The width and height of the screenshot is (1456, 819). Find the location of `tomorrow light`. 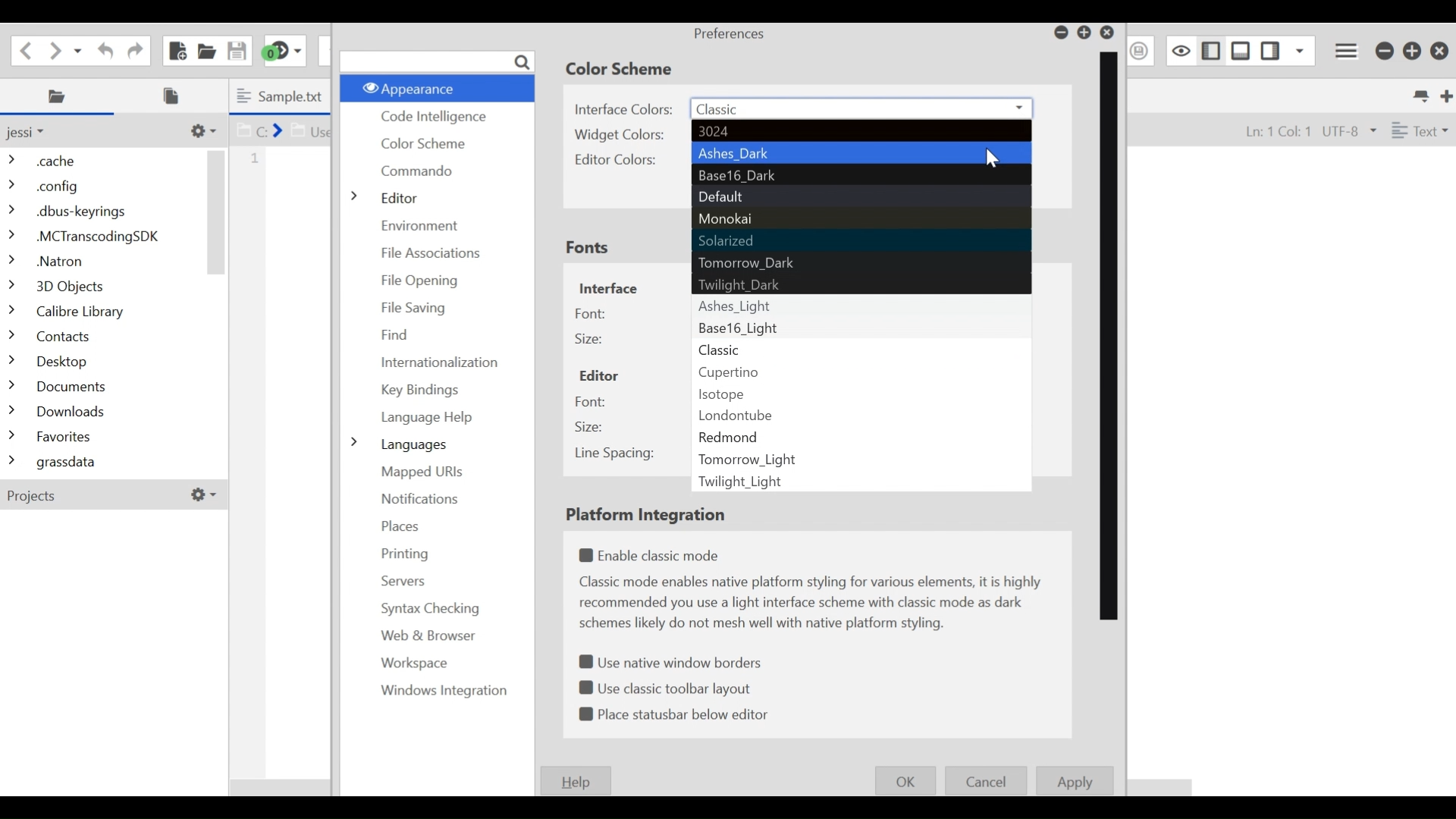

tomorrow light is located at coordinates (863, 457).